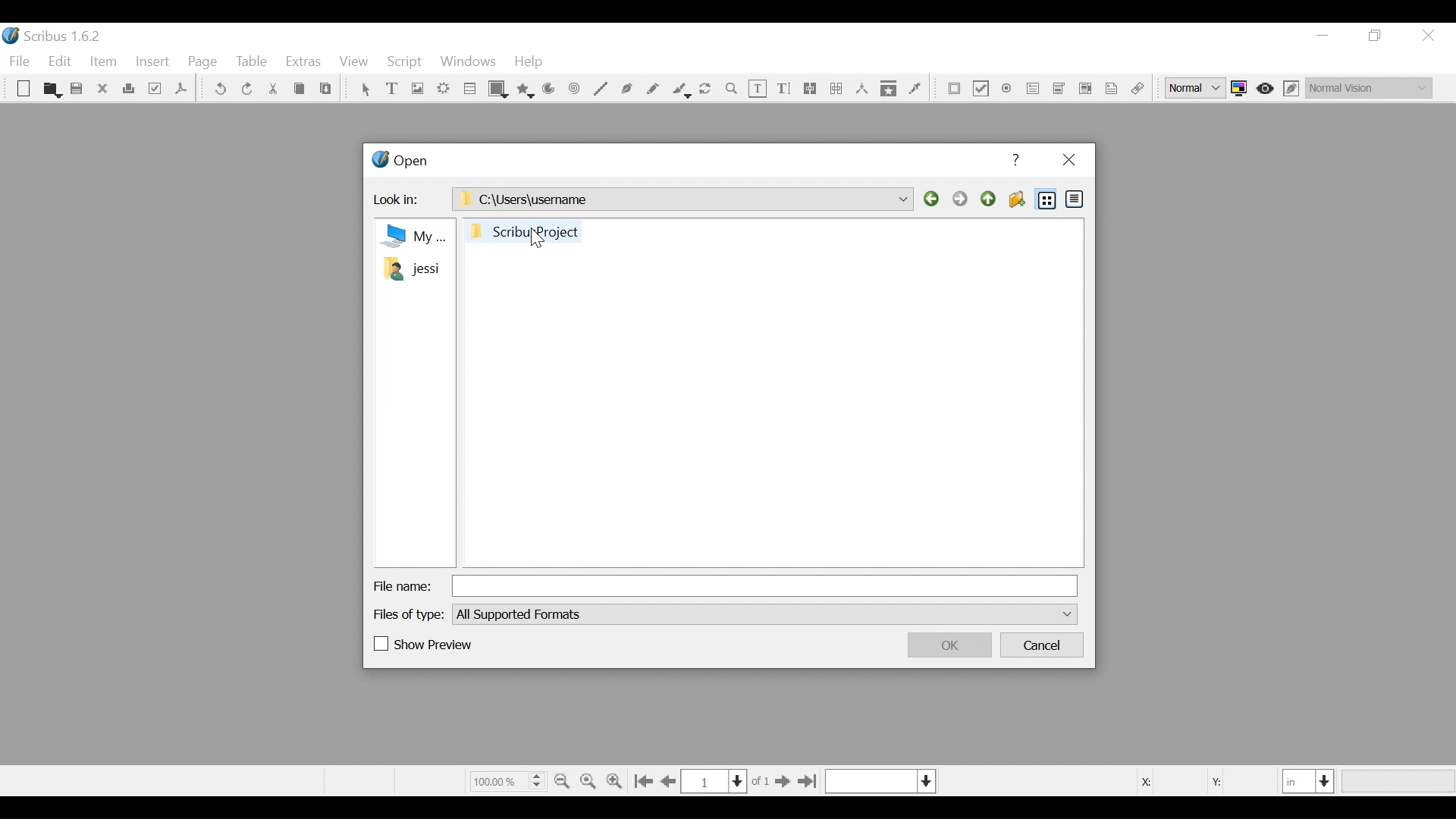  I want to click on Cop, so click(299, 90).